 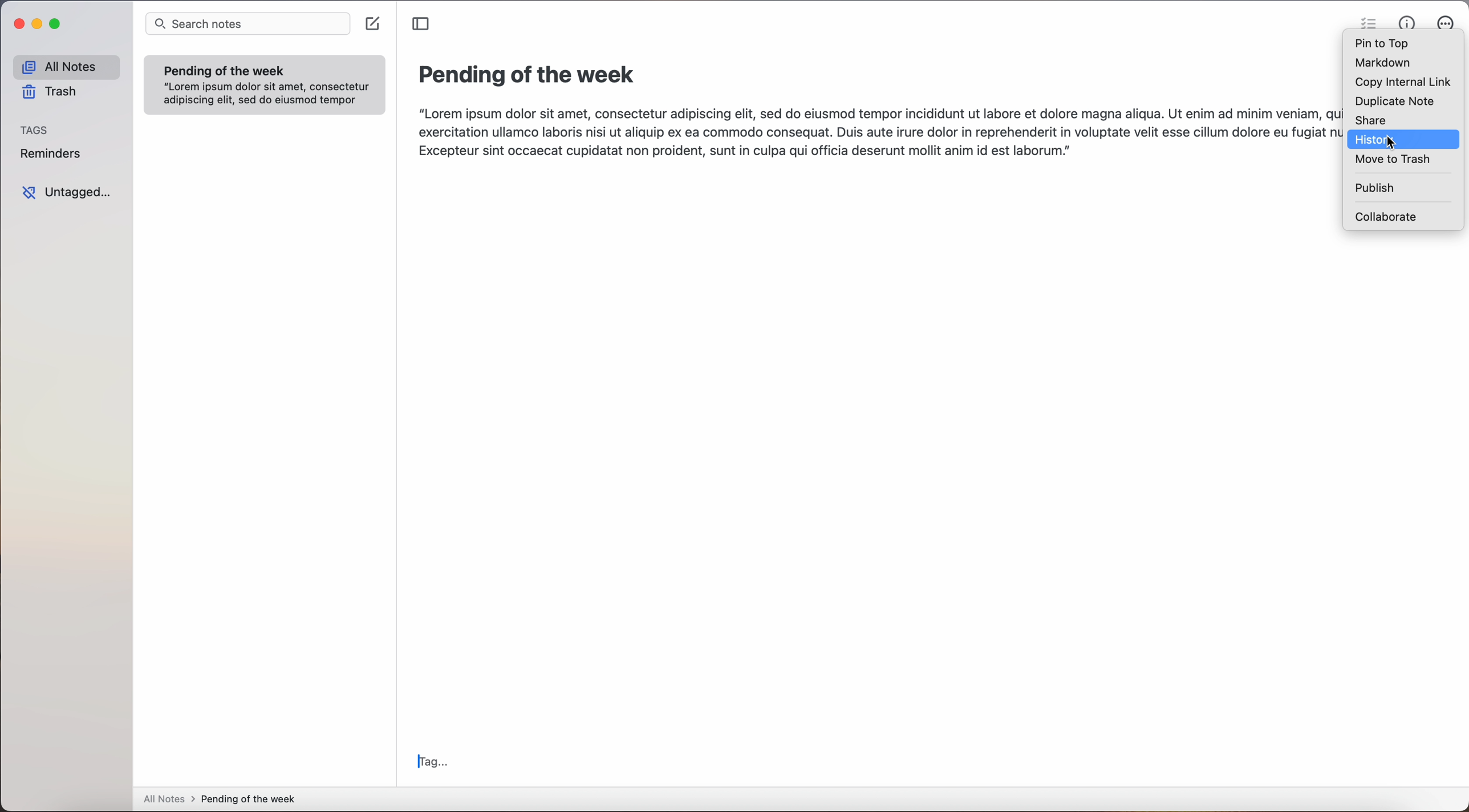 I want to click on maximize Simplenote, so click(x=59, y=24).